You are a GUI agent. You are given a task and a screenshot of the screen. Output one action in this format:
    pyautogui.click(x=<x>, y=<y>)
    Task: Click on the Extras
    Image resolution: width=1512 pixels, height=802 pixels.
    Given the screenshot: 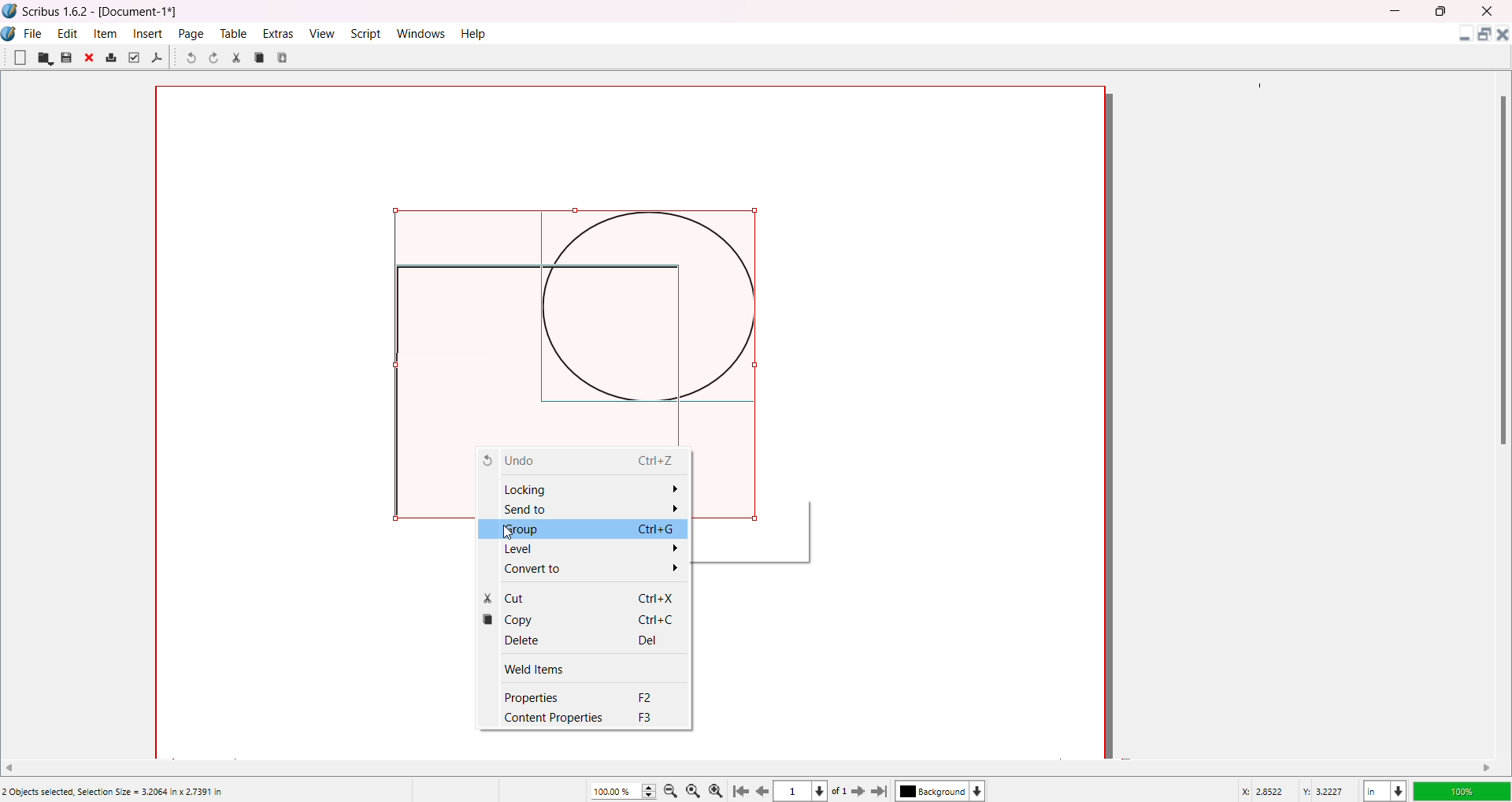 What is the action you would take?
    pyautogui.click(x=279, y=33)
    